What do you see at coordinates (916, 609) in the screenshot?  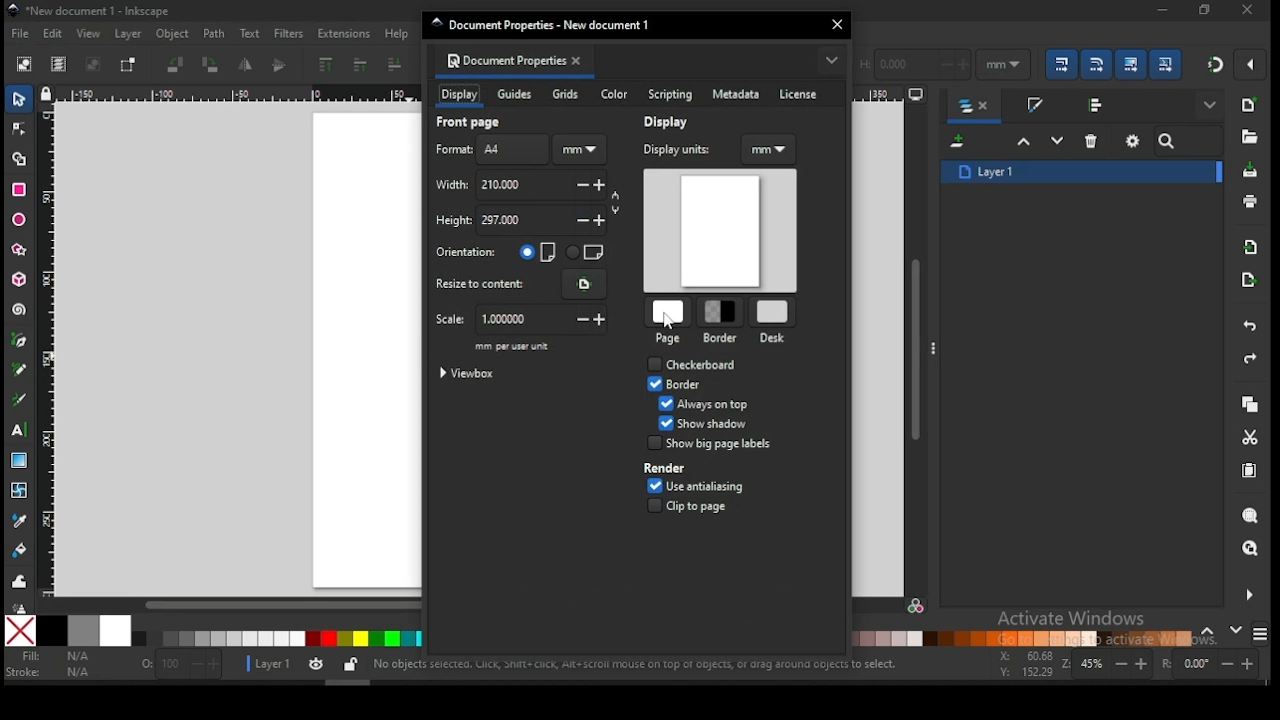 I see `color manager mode` at bounding box center [916, 609].